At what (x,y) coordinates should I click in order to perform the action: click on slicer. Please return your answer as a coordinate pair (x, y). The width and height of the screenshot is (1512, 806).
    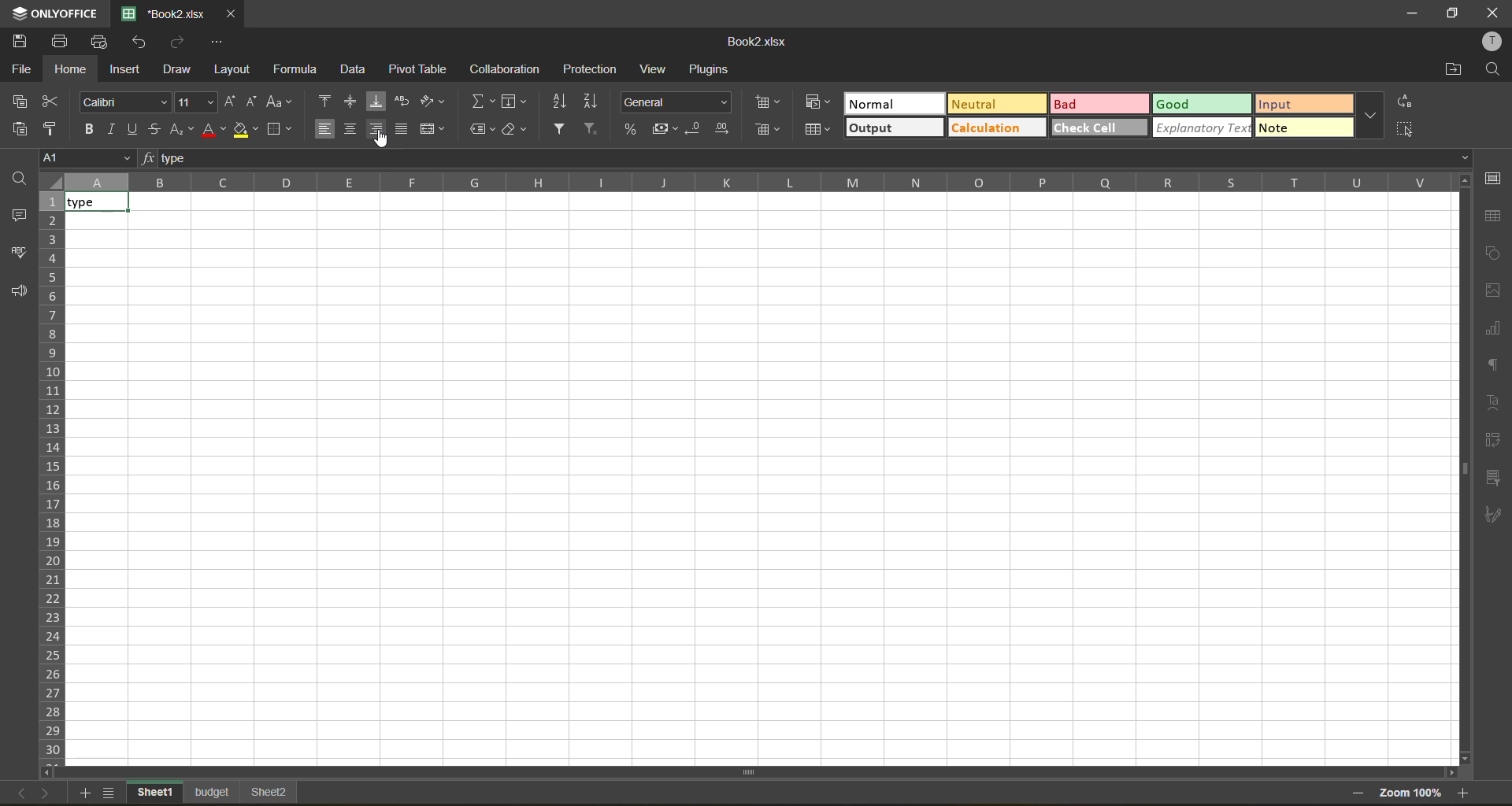
    Looking at the image, I should click on (1493, 479).